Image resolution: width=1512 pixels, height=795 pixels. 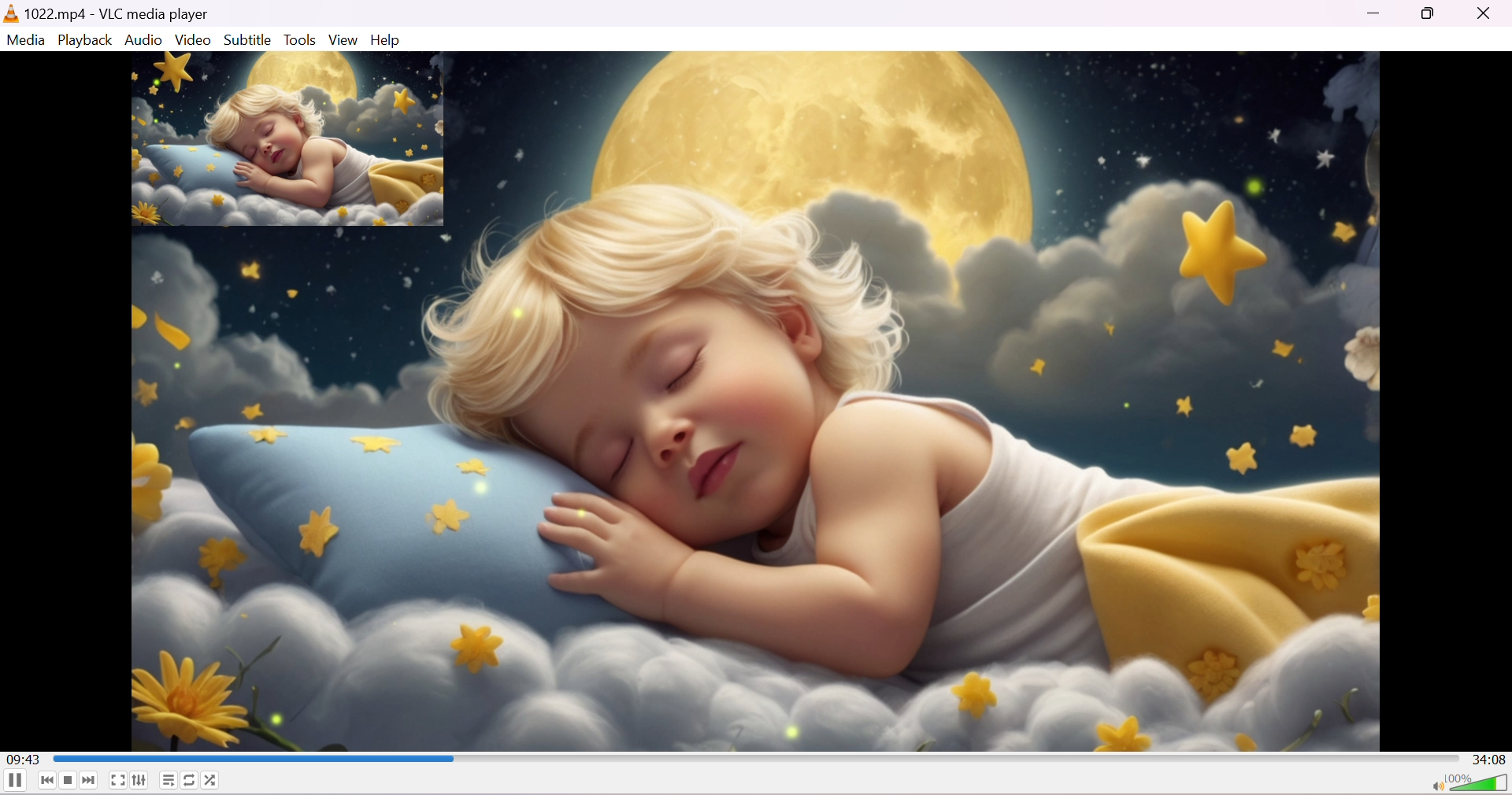 I want to click on Progress bar, so click(x=754, y=756).